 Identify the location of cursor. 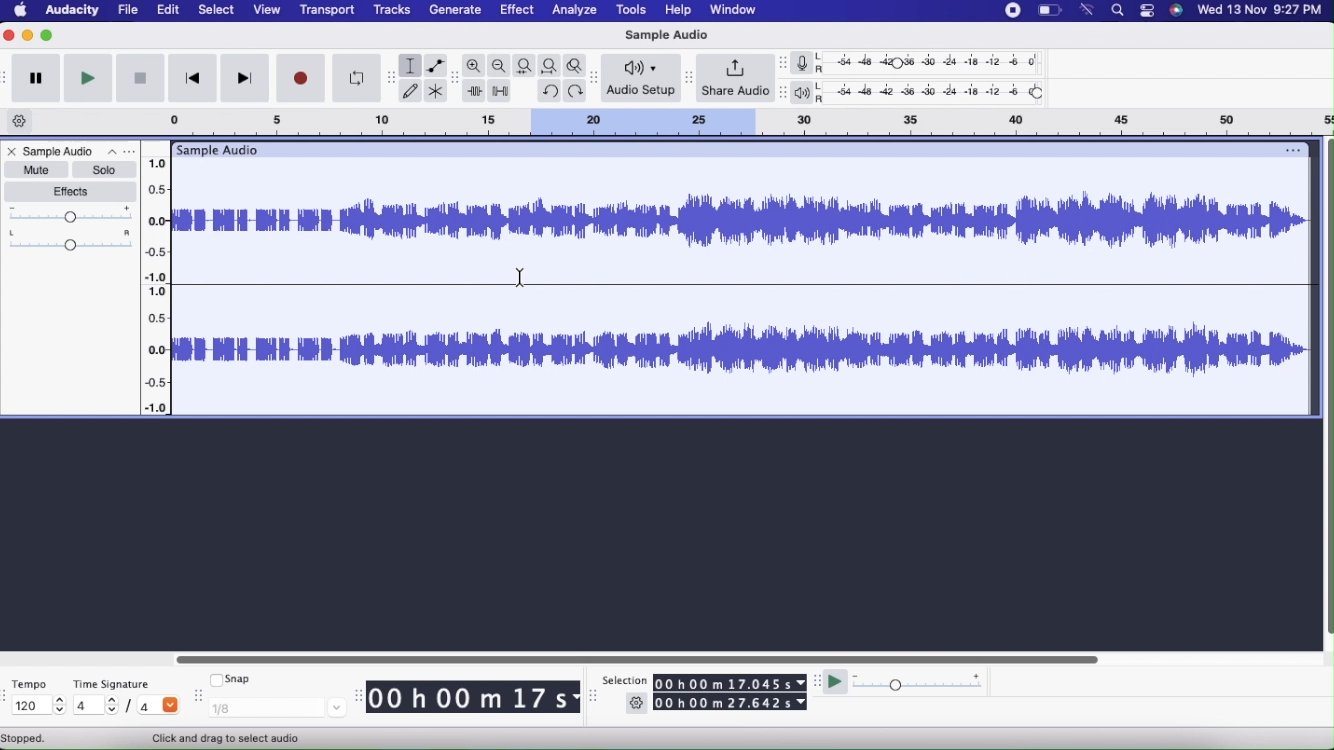
(518, 278).